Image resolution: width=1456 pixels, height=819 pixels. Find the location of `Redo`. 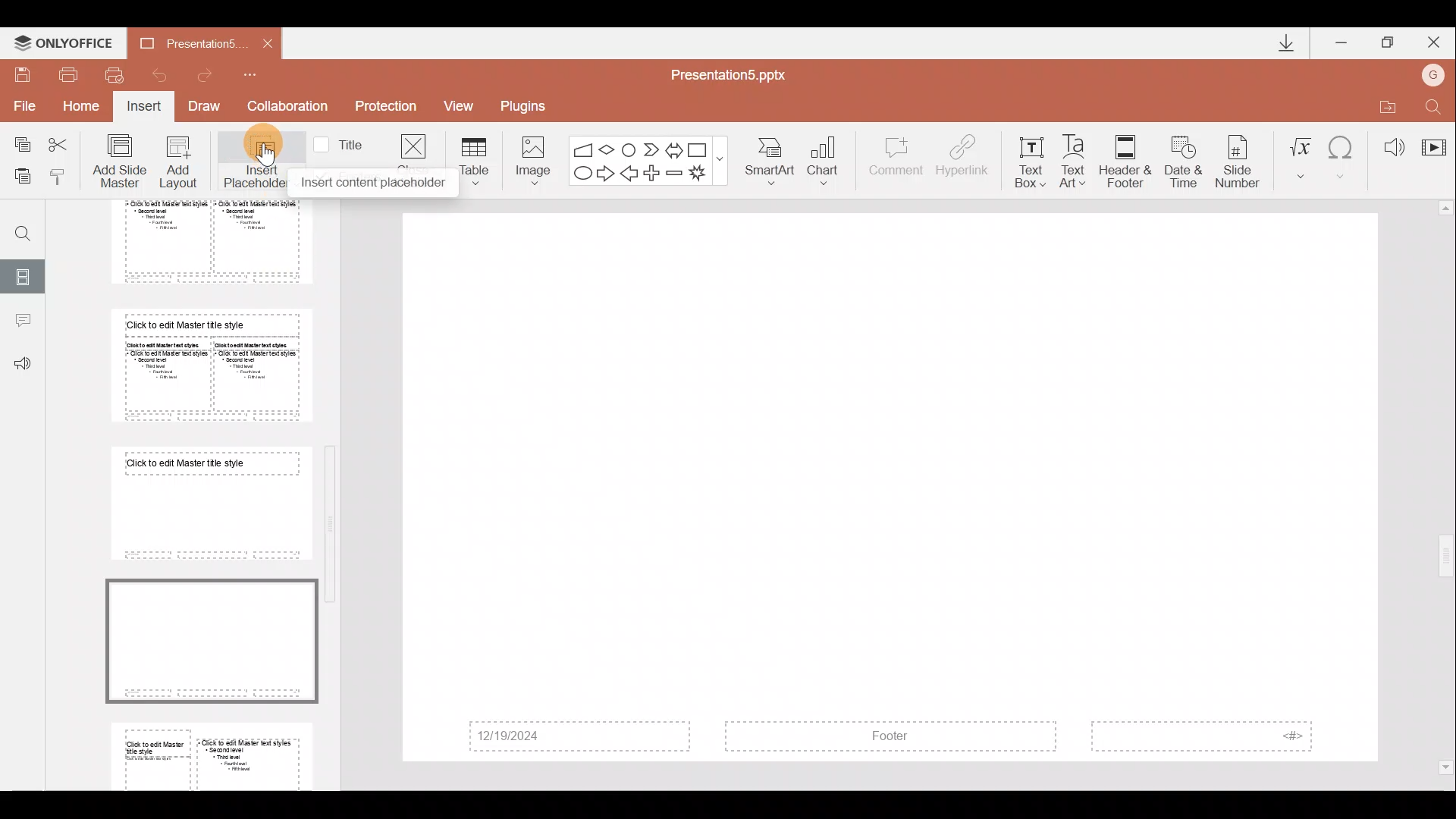

Redo is located at coordinates (211, 75).